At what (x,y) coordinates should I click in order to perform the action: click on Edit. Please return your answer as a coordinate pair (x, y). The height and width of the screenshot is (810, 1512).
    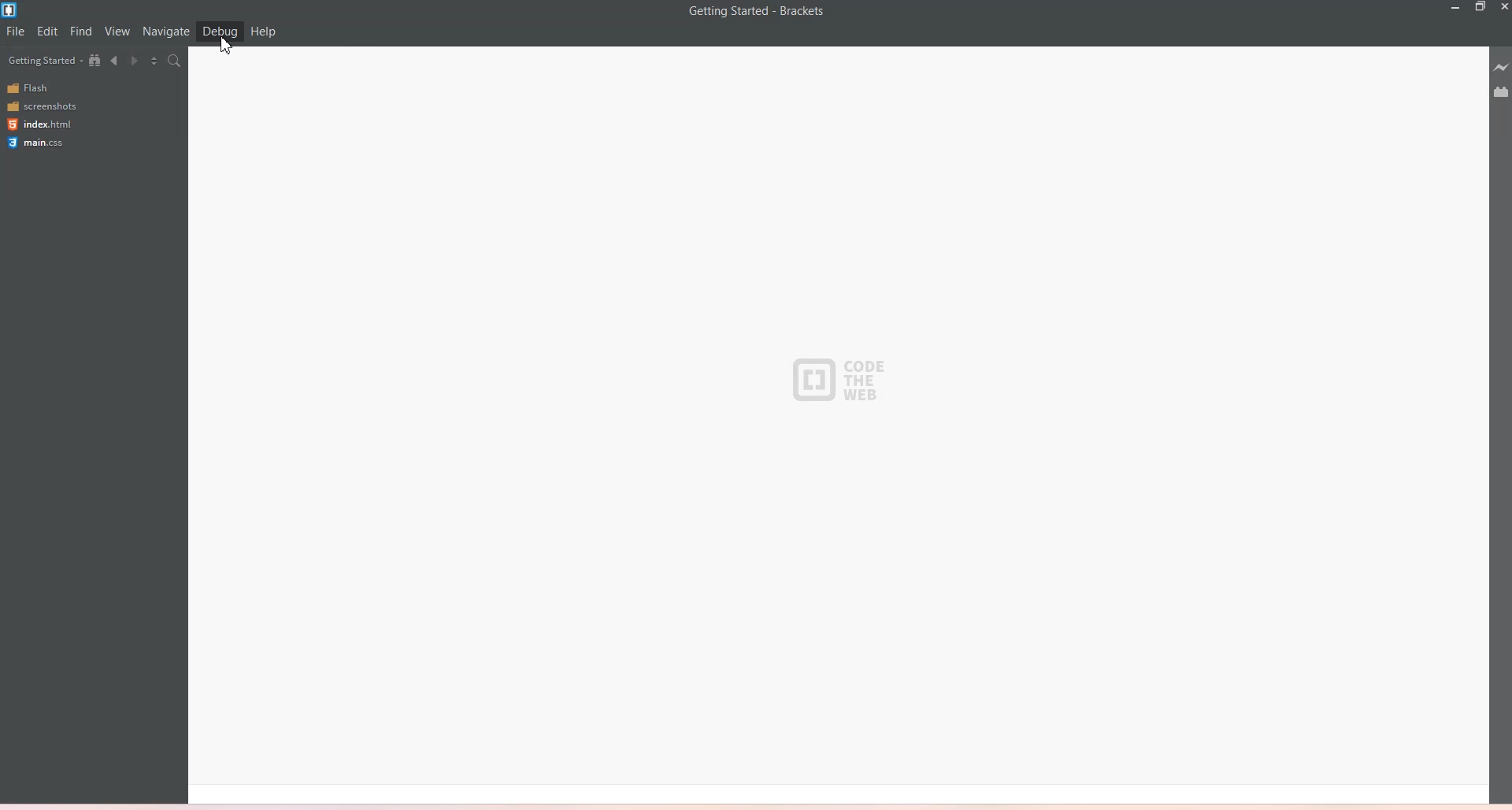
    Looking at the image, I should click on (49, 32).